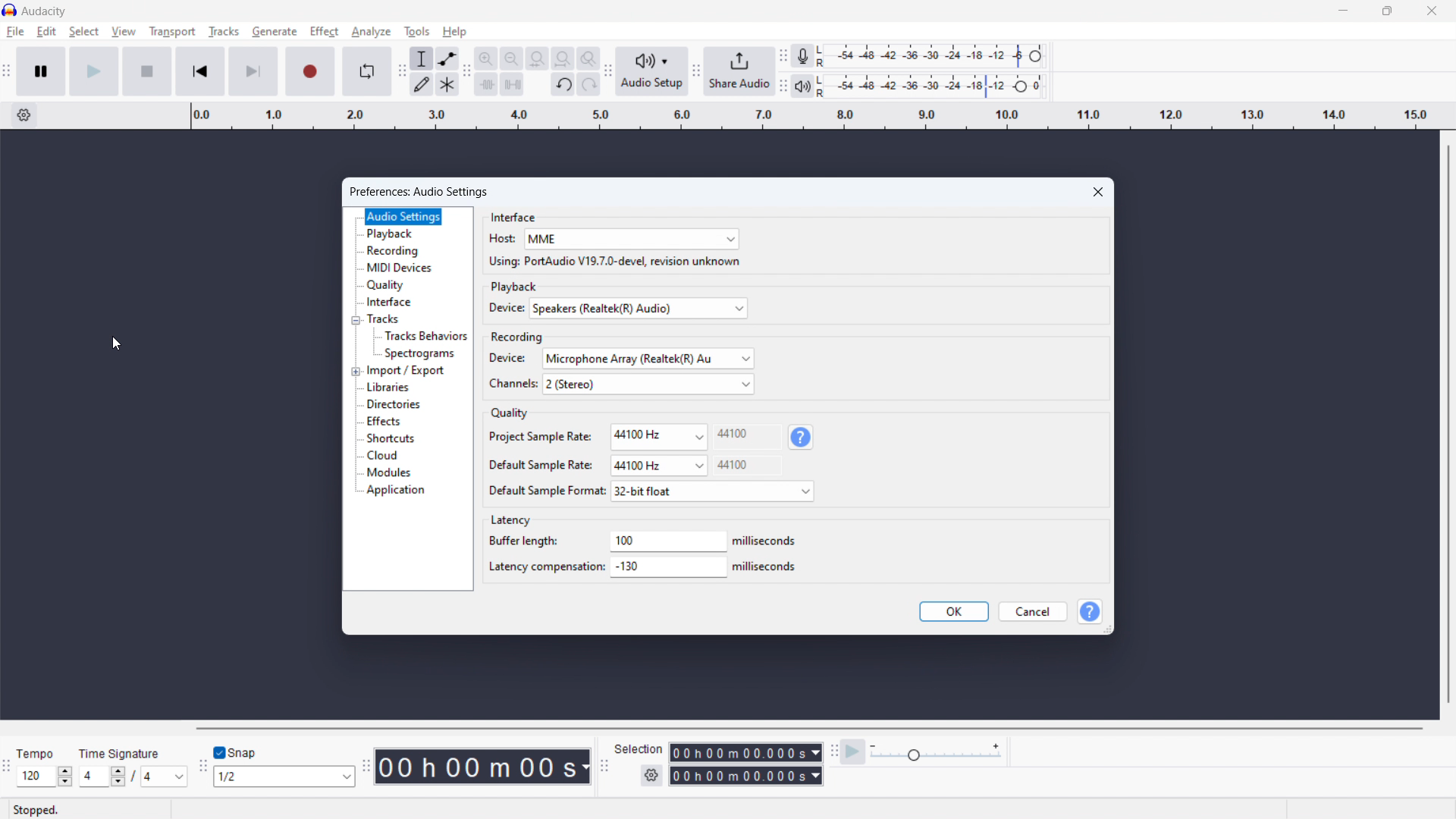 The image size is (1456, 819). Describe the element at coordinates (667, 566) in the screenshot. I see `set latency compensation` at that location.